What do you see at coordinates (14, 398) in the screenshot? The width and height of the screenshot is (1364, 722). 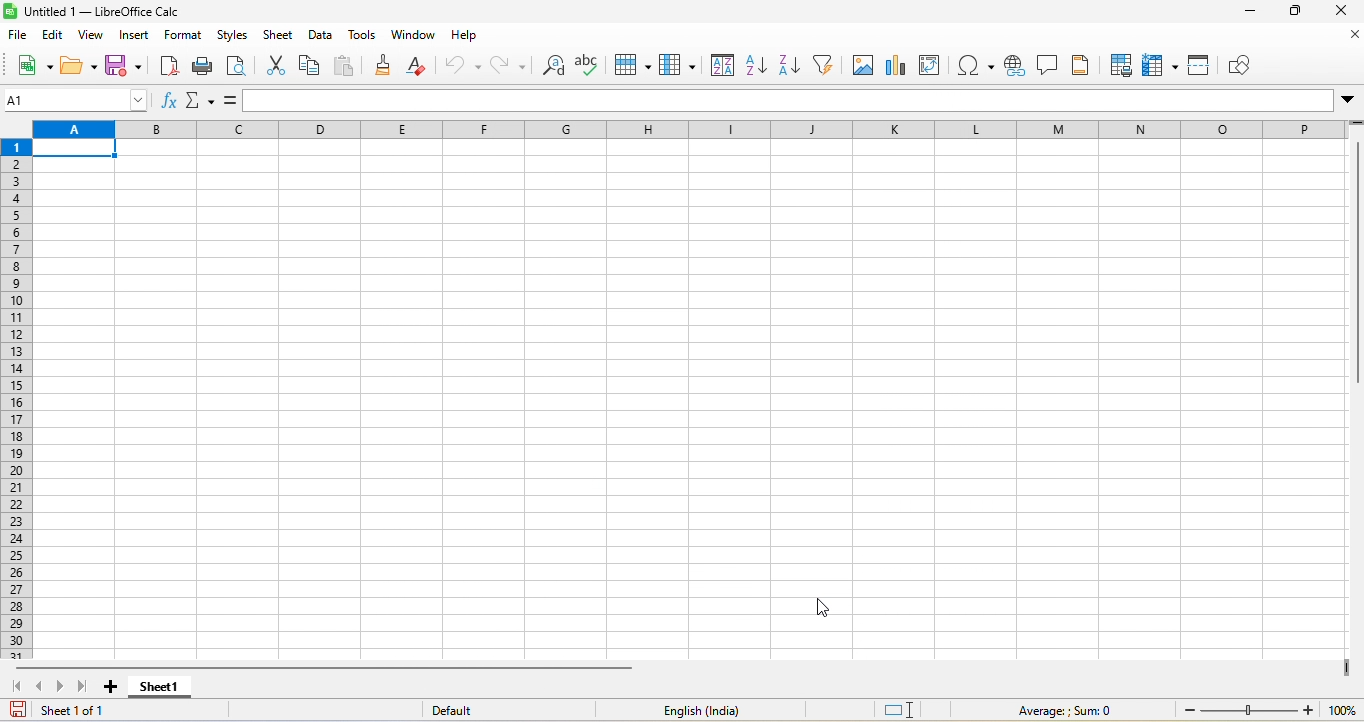 I see `rows` at bounding box center [14, 398].